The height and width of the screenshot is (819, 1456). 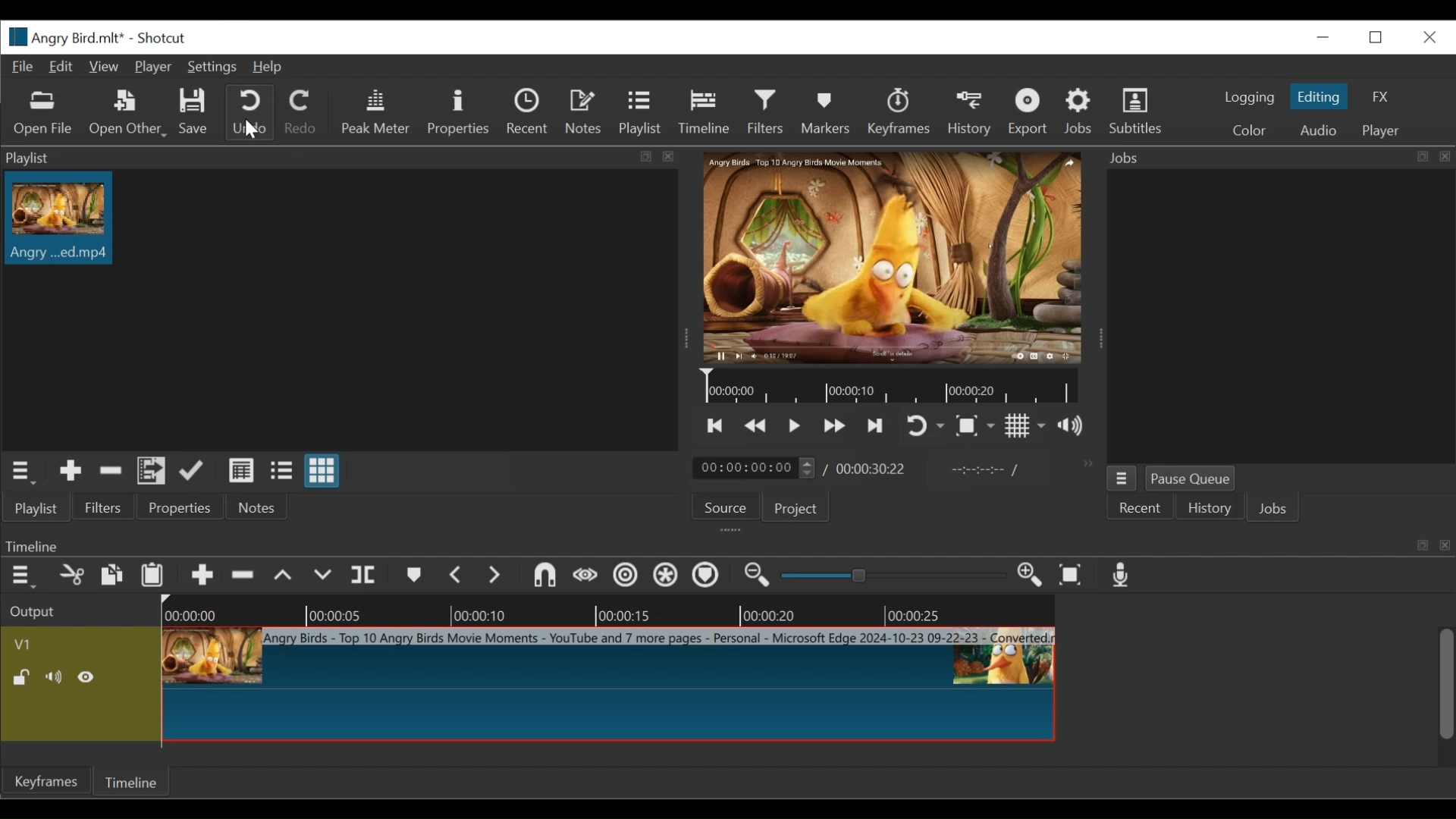 I want to click on Toggle player looping, so click(x=925, y=427).